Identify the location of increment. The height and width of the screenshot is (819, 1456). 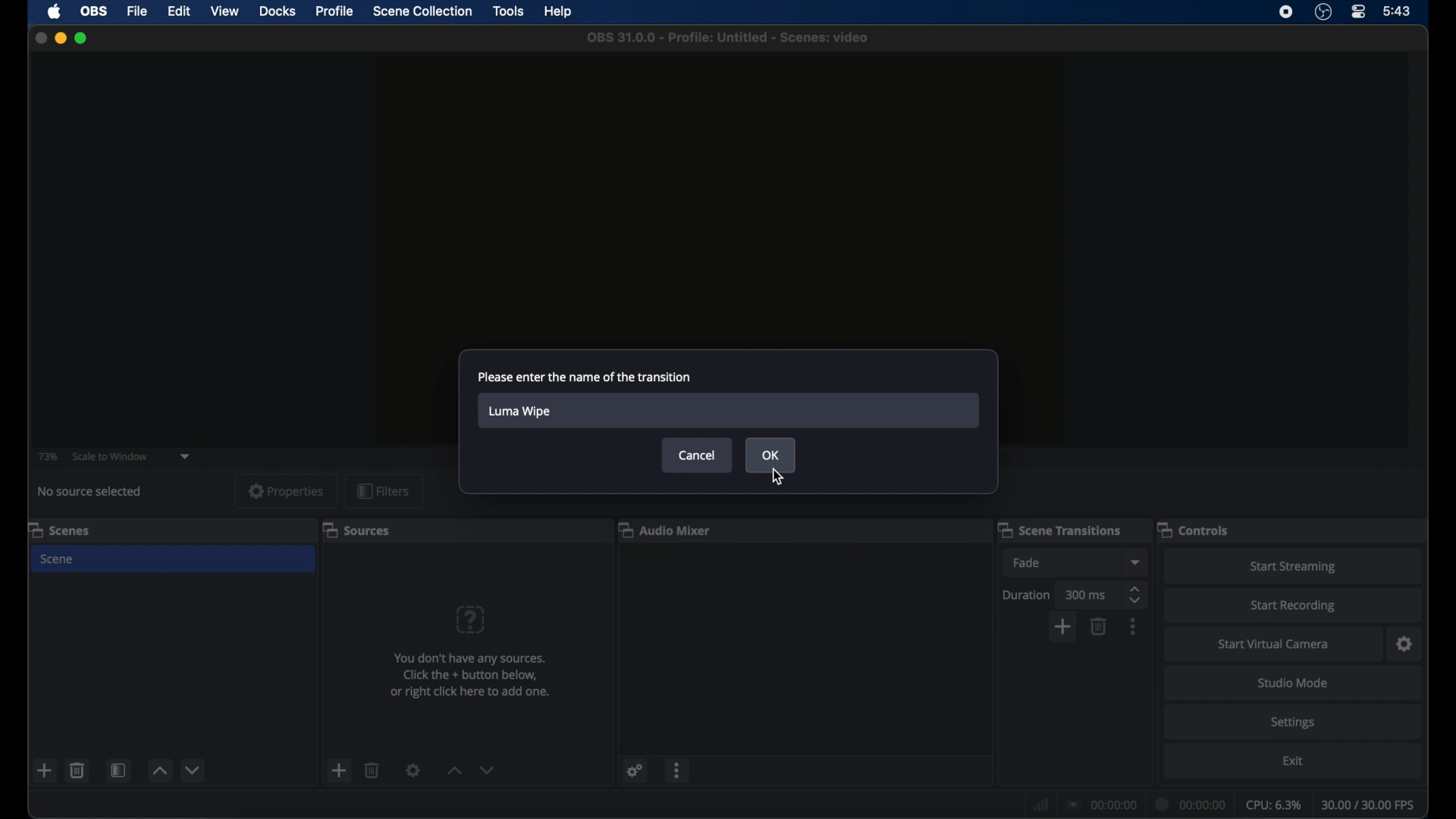
(162, 770).